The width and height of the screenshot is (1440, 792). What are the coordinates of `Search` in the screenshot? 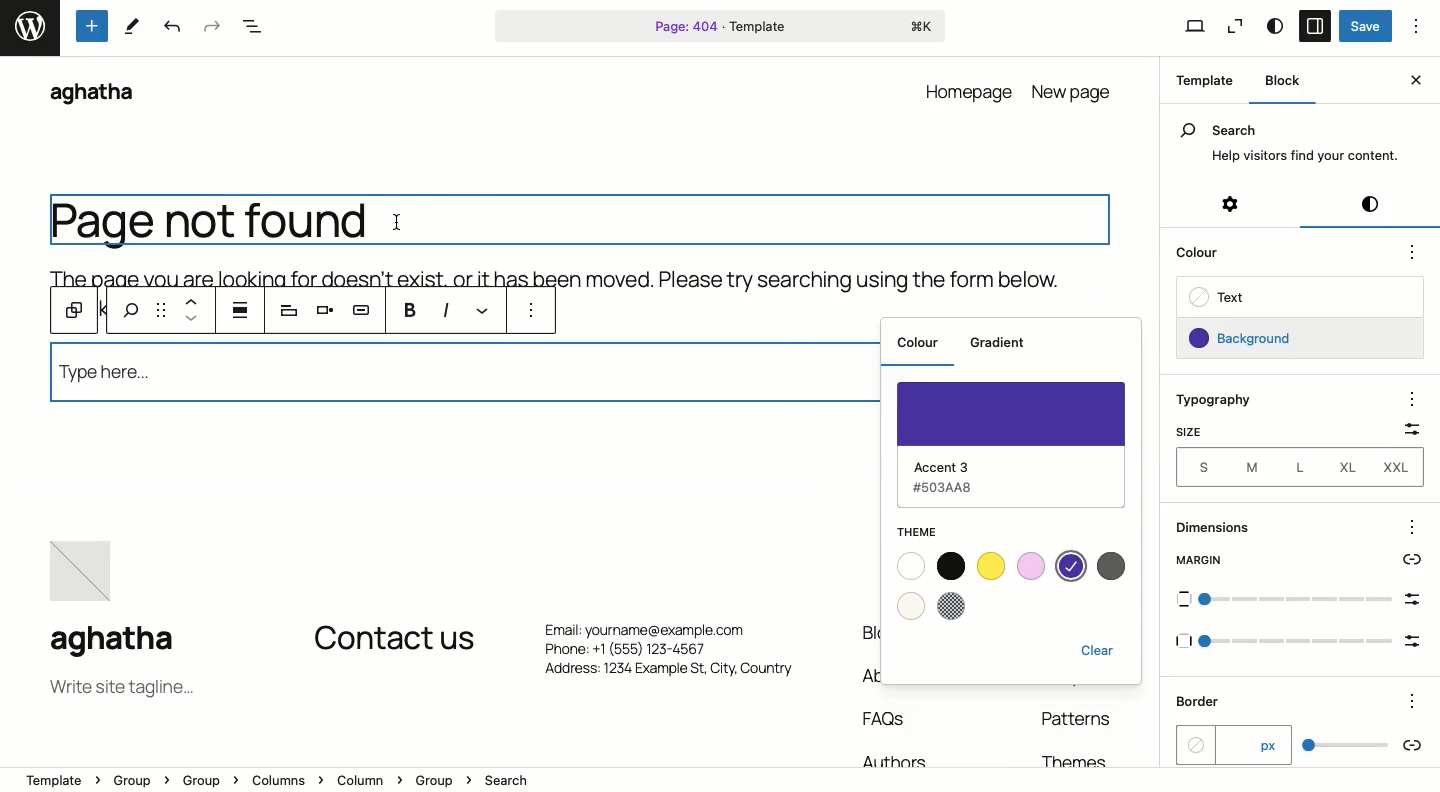 It's located at (464, 379).